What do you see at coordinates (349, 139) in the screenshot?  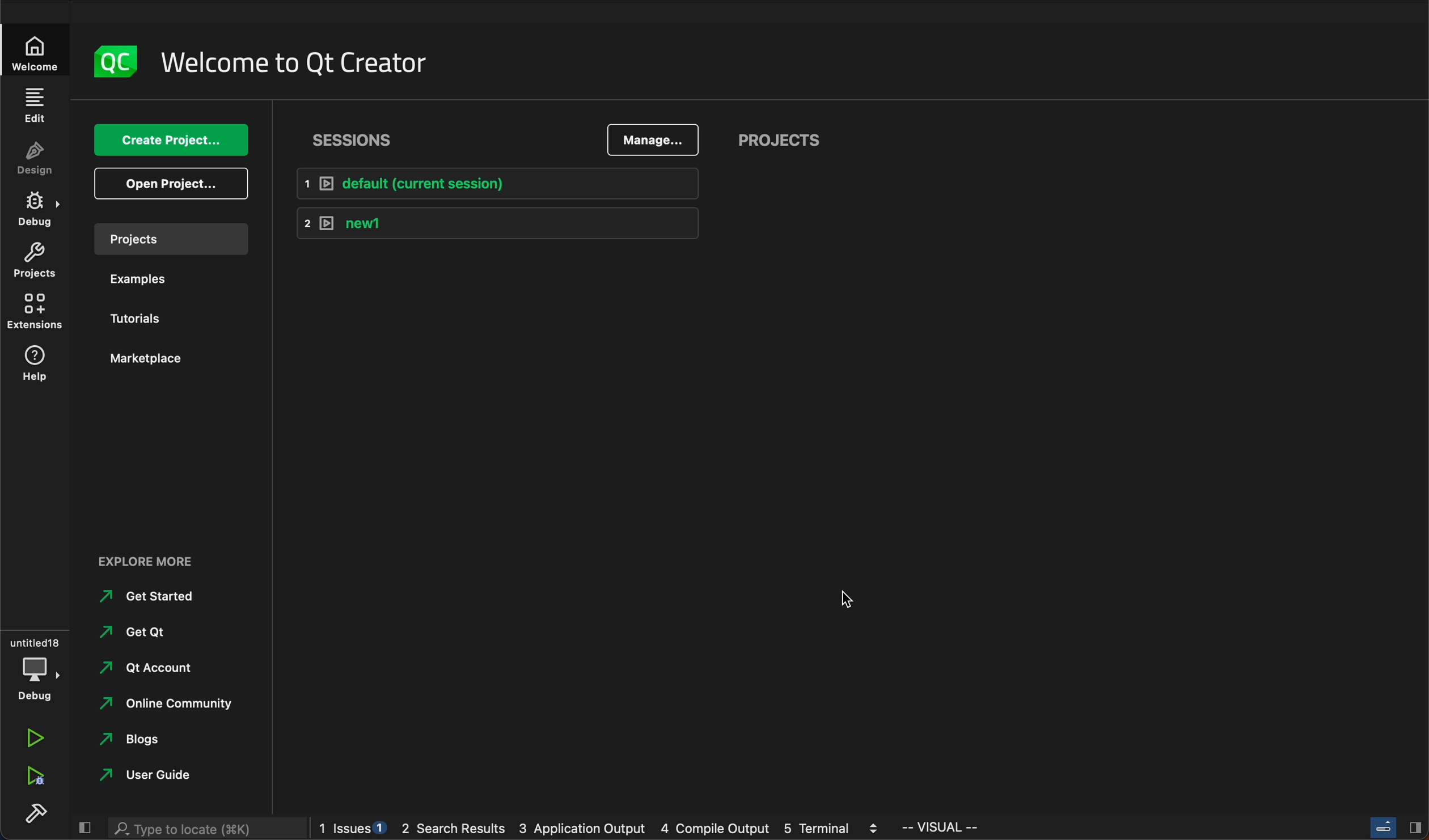 I see `sessions` at bounding box center [349, 139].